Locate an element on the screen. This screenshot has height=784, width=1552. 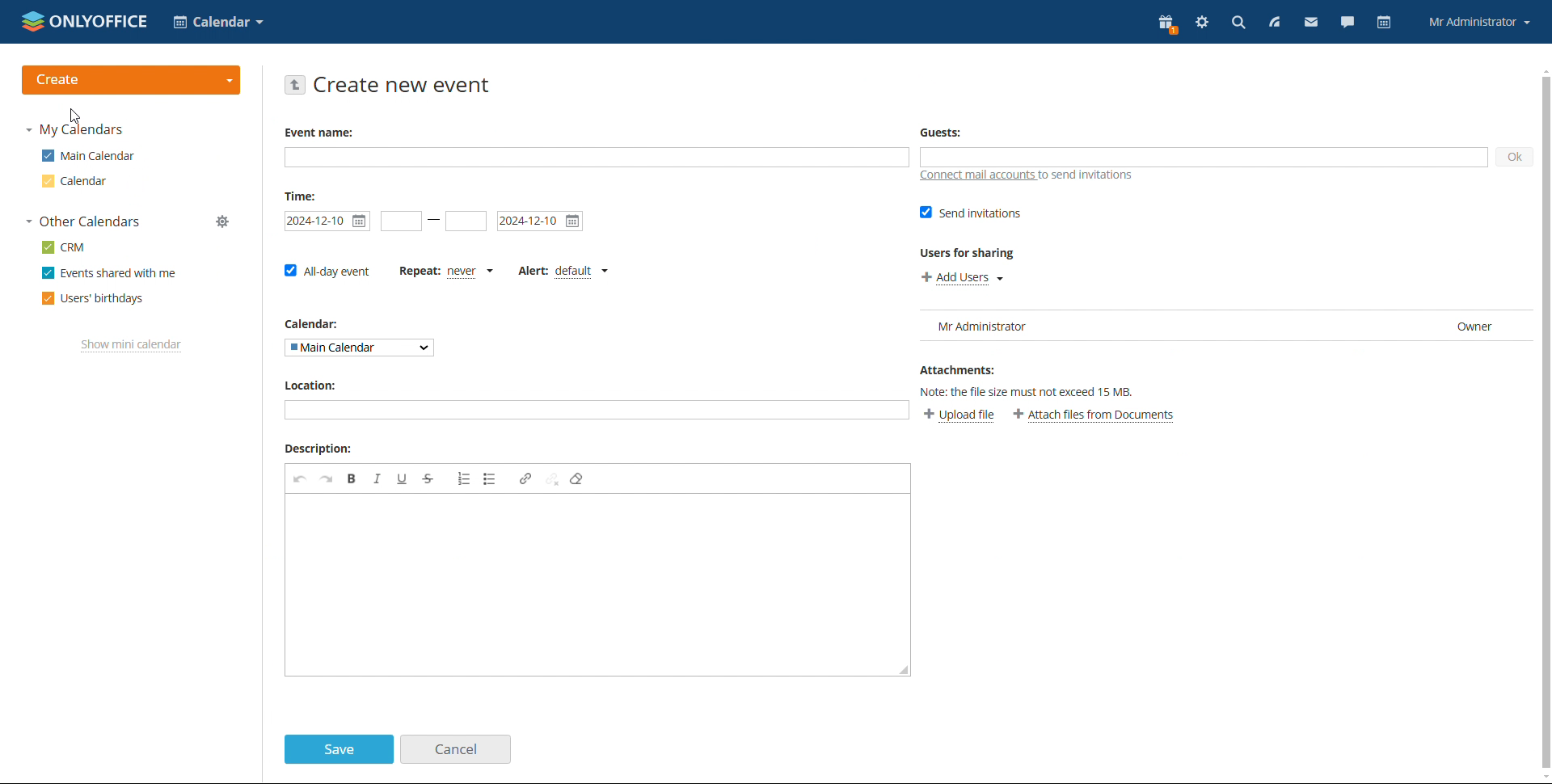
add users is located at coordinates (963, 277).